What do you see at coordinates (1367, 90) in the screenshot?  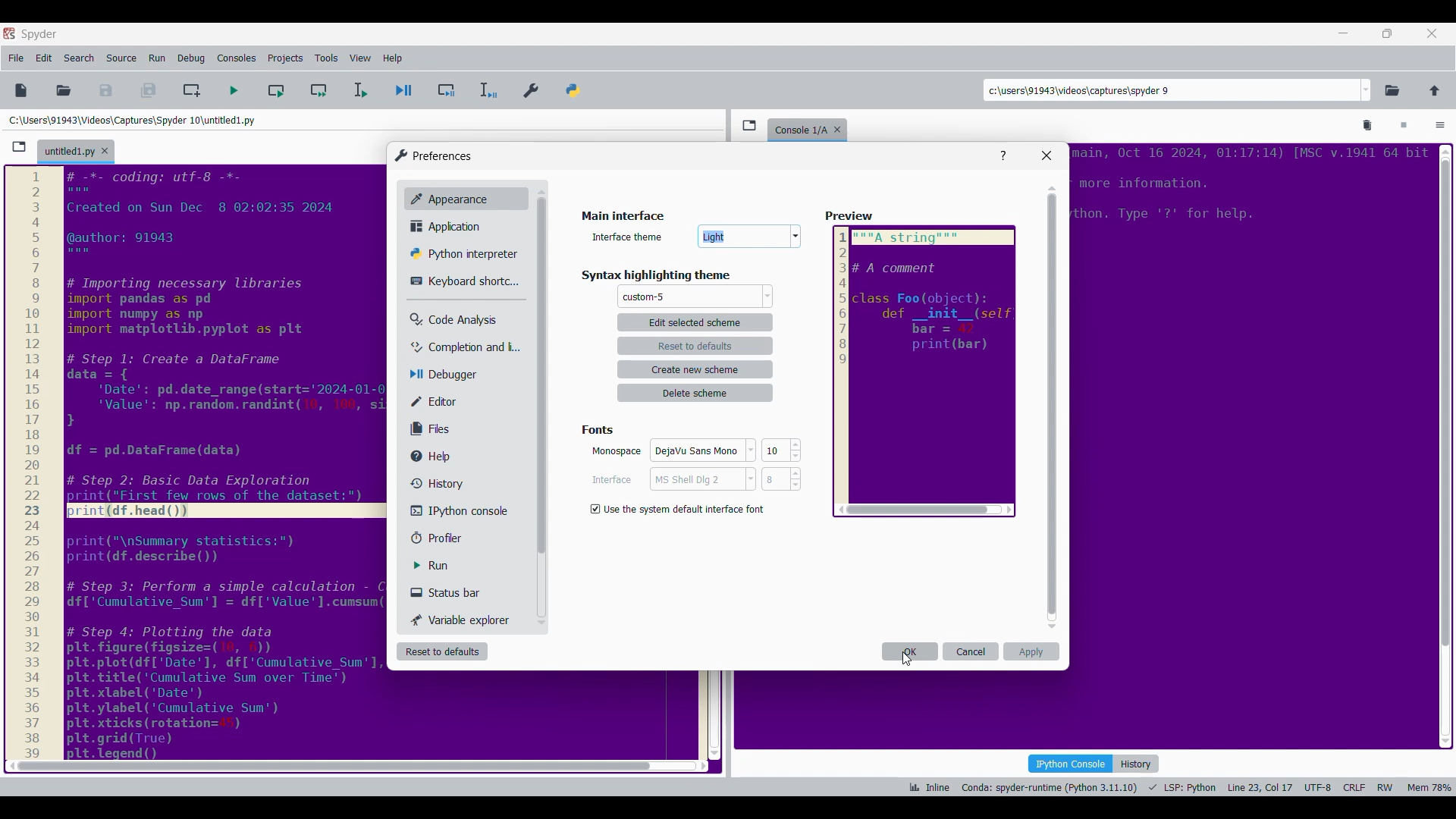 I see `Location options` at bounding box center [1367, 90].